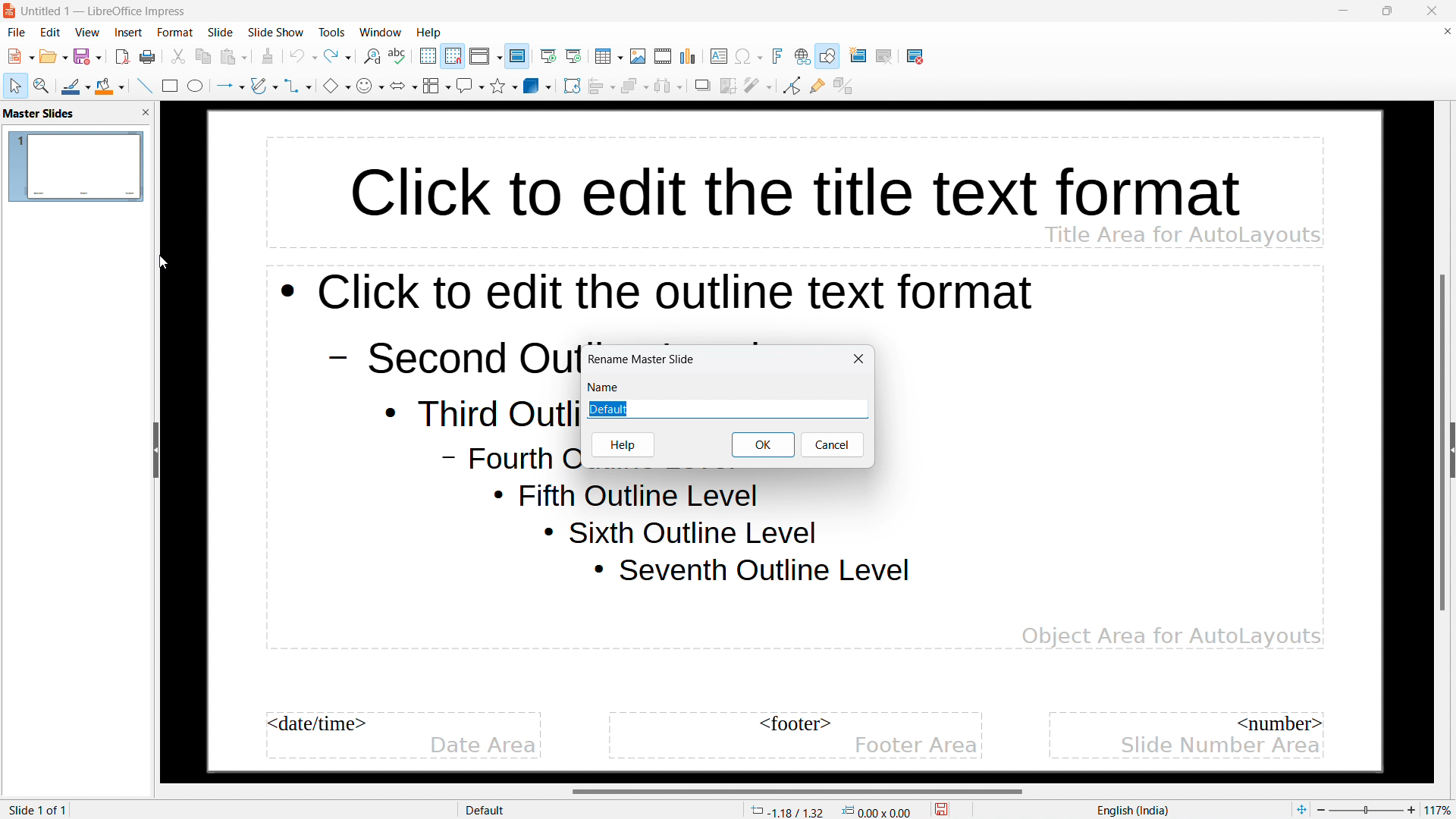 Image resolution: width=1456 pixels, height=819 pixels. I want to click on Untitled 1 -- LibreOffice Impress, so click(104, 11).